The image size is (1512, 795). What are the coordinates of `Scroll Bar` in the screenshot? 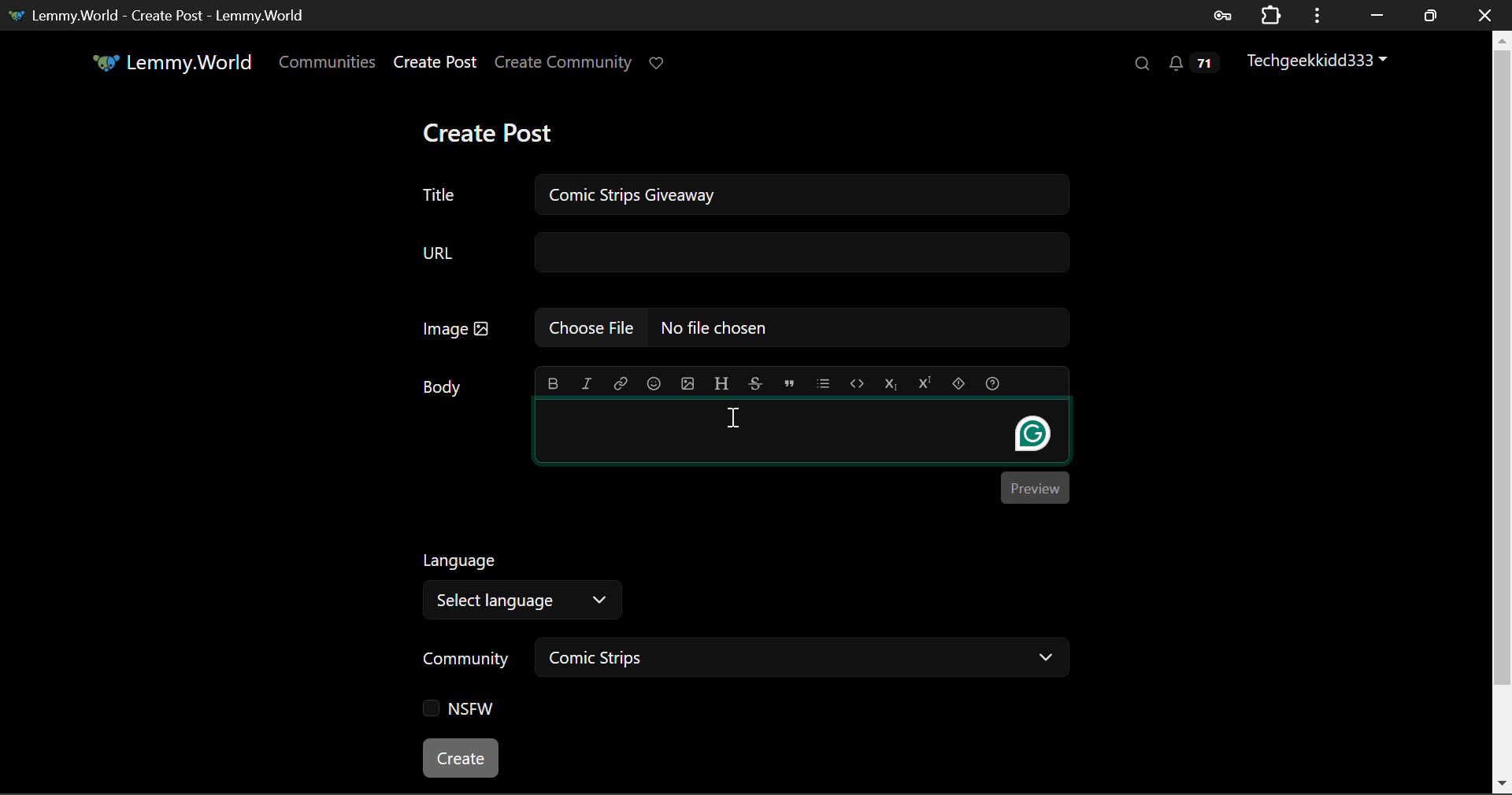 It's located at (1503, 411).